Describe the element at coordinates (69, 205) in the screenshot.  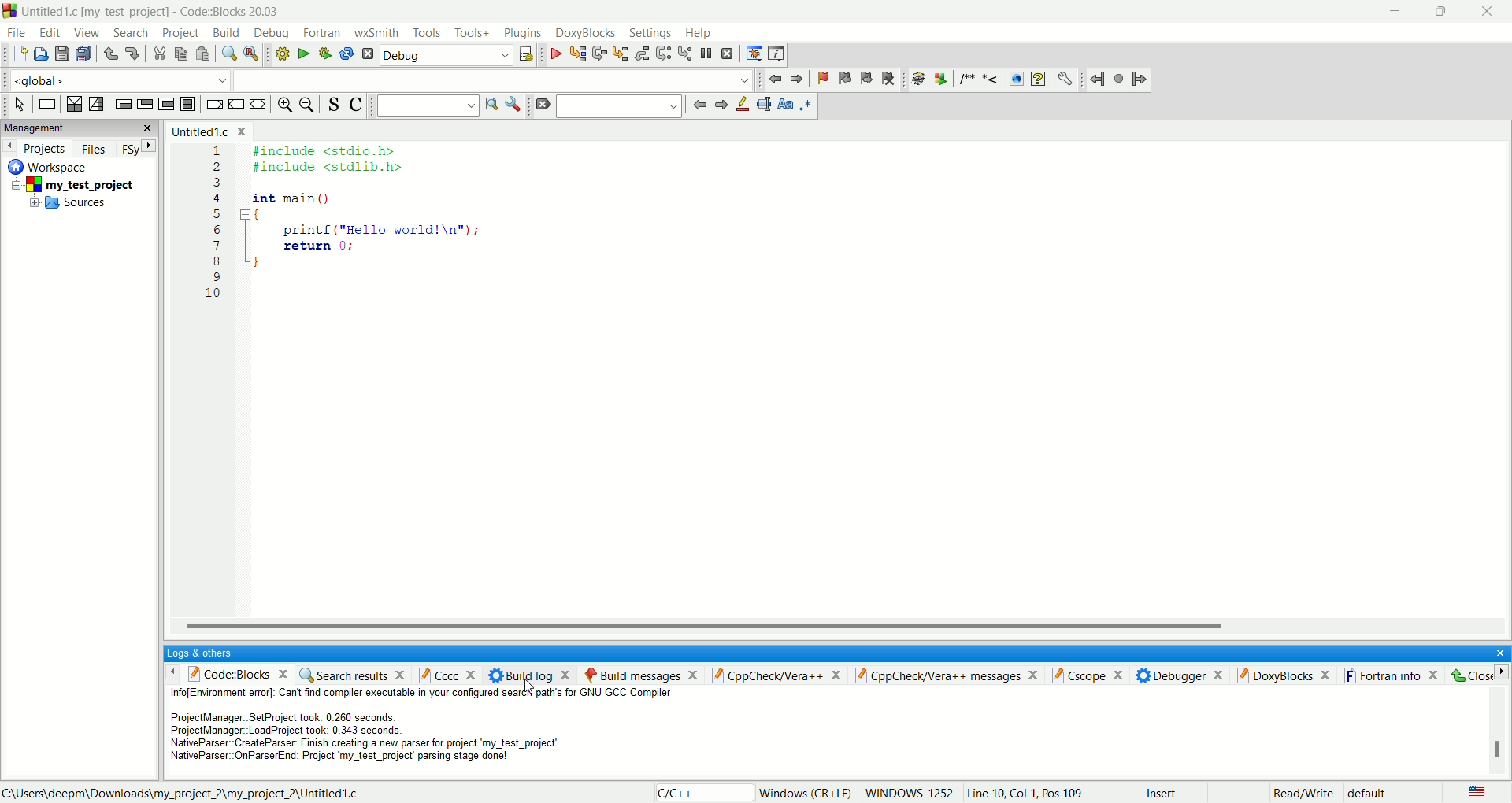
I see `sources` at that location.